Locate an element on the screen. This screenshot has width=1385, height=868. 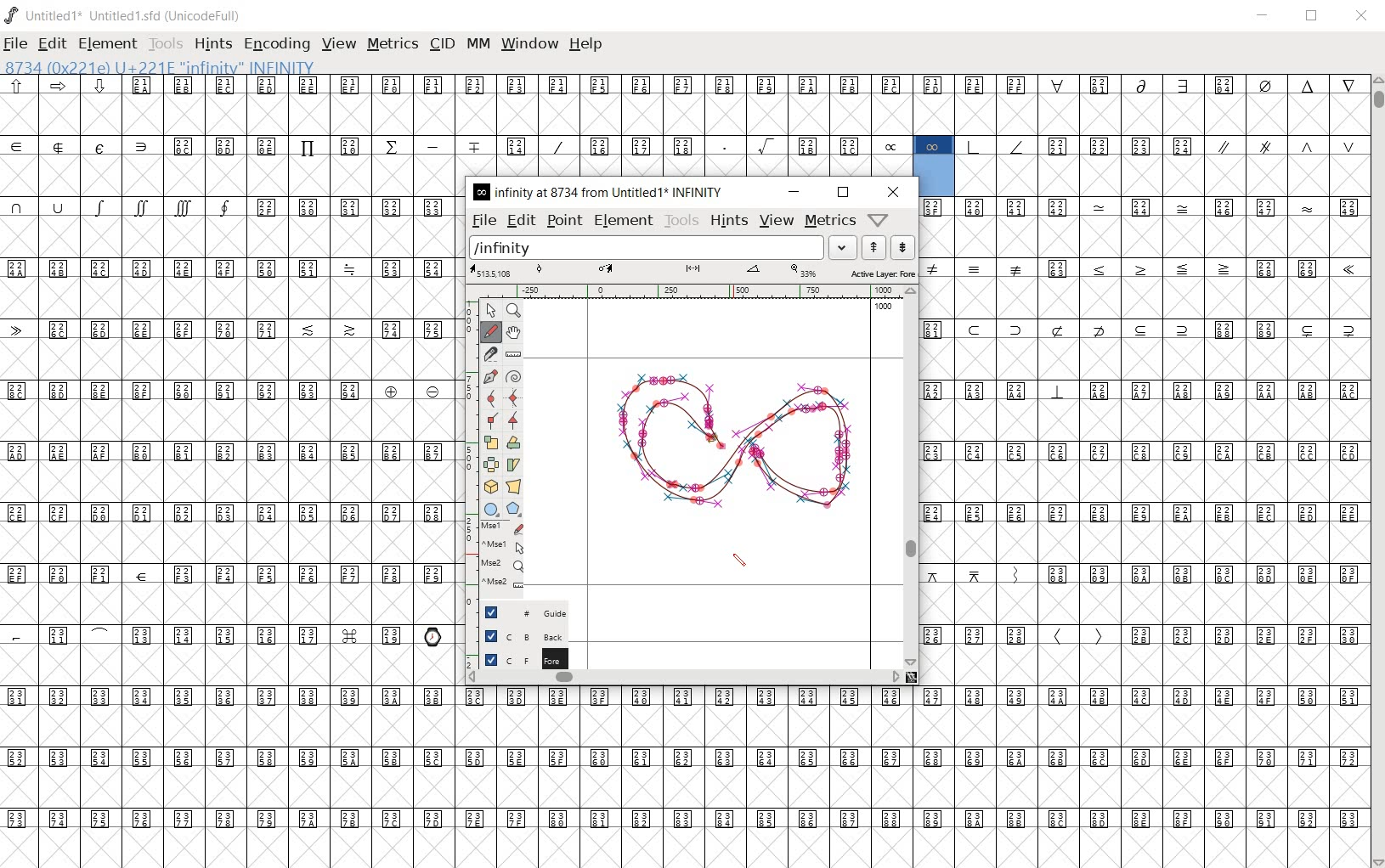
empty glyph slots is located at coordinates (1145, 359).